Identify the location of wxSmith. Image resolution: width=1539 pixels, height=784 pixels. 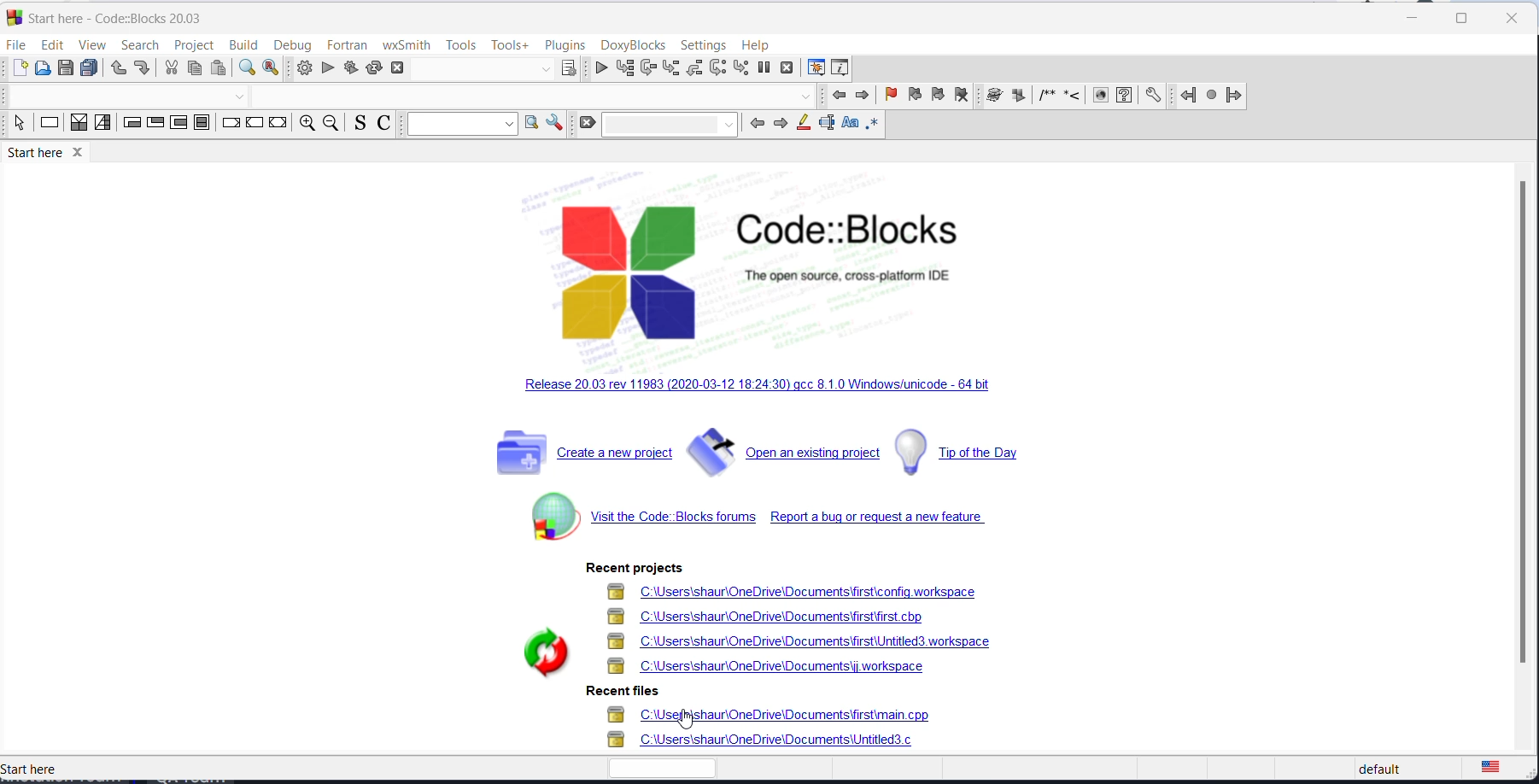
(408, 44).